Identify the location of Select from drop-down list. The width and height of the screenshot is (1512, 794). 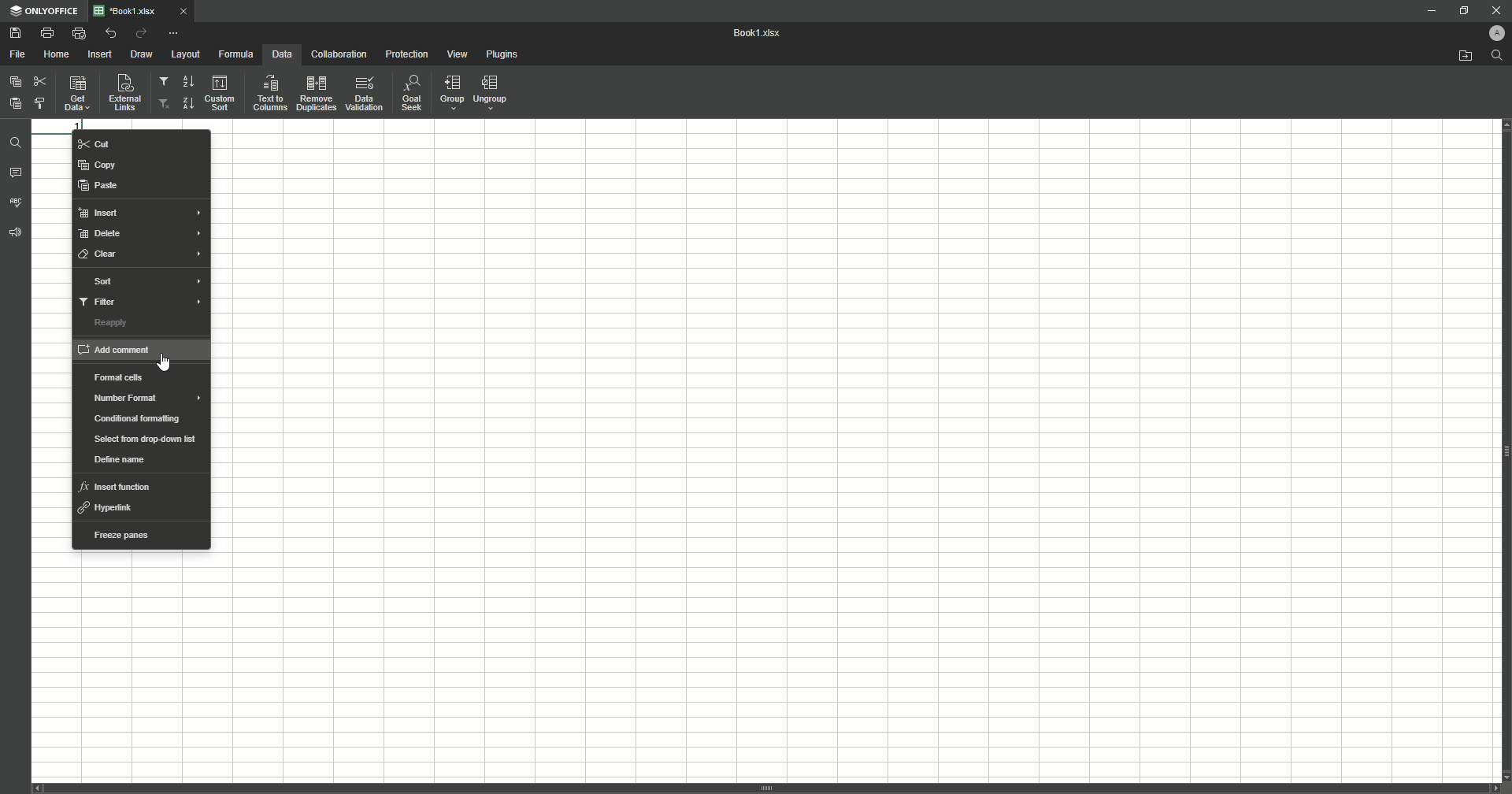
(144, 438).